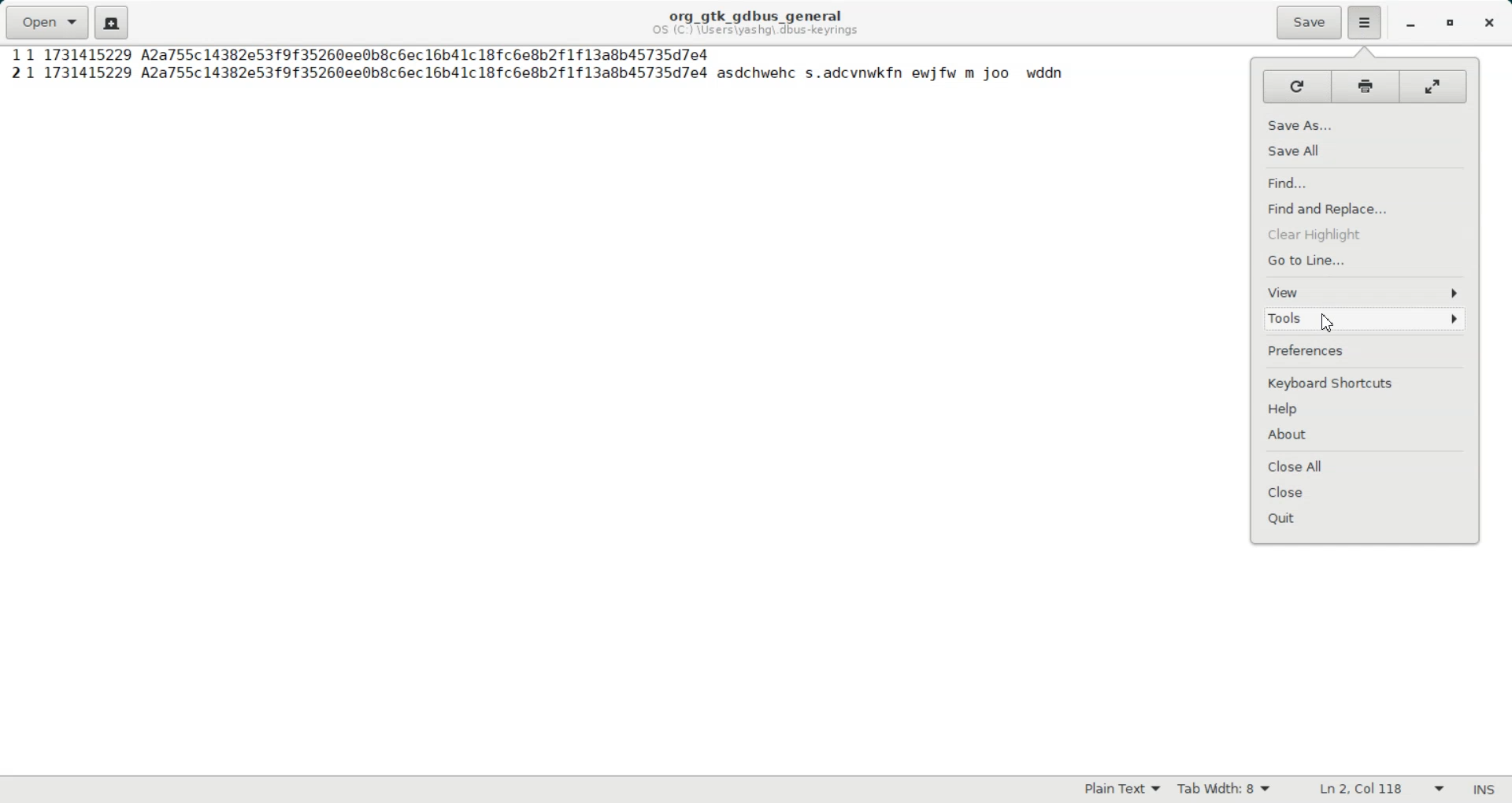 The width and height of the screenshot is (1512, 803). Describe the element at coordinates (1223, 790) in the screenshot. I see `Tab width: 8` at that location.